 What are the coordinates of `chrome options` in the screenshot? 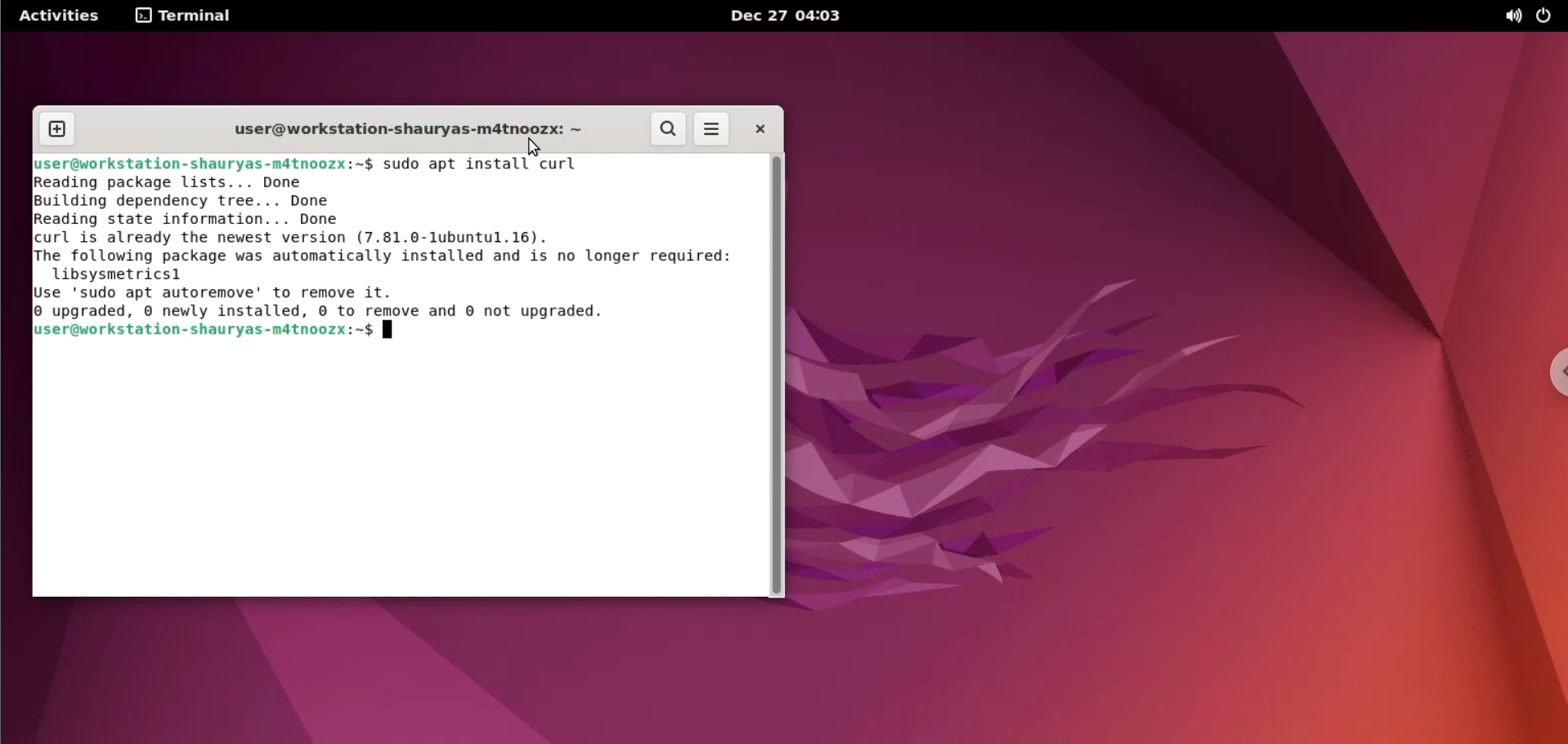 It's located at (1553, 374).